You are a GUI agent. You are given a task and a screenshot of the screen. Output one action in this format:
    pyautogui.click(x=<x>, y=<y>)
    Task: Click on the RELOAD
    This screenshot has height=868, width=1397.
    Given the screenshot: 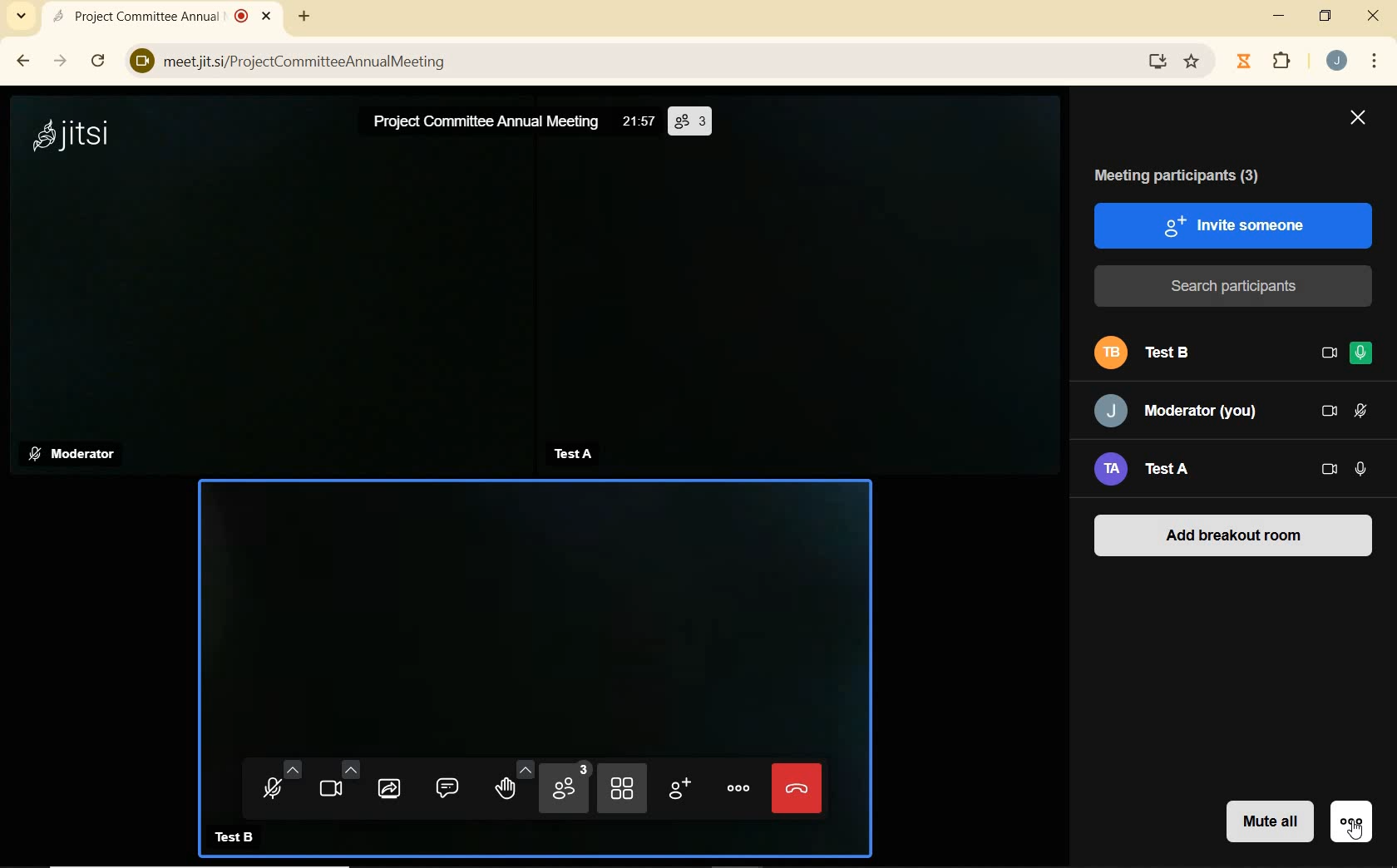 What is the action you would take?
    pyautogui.click(x=98, y=60)
    